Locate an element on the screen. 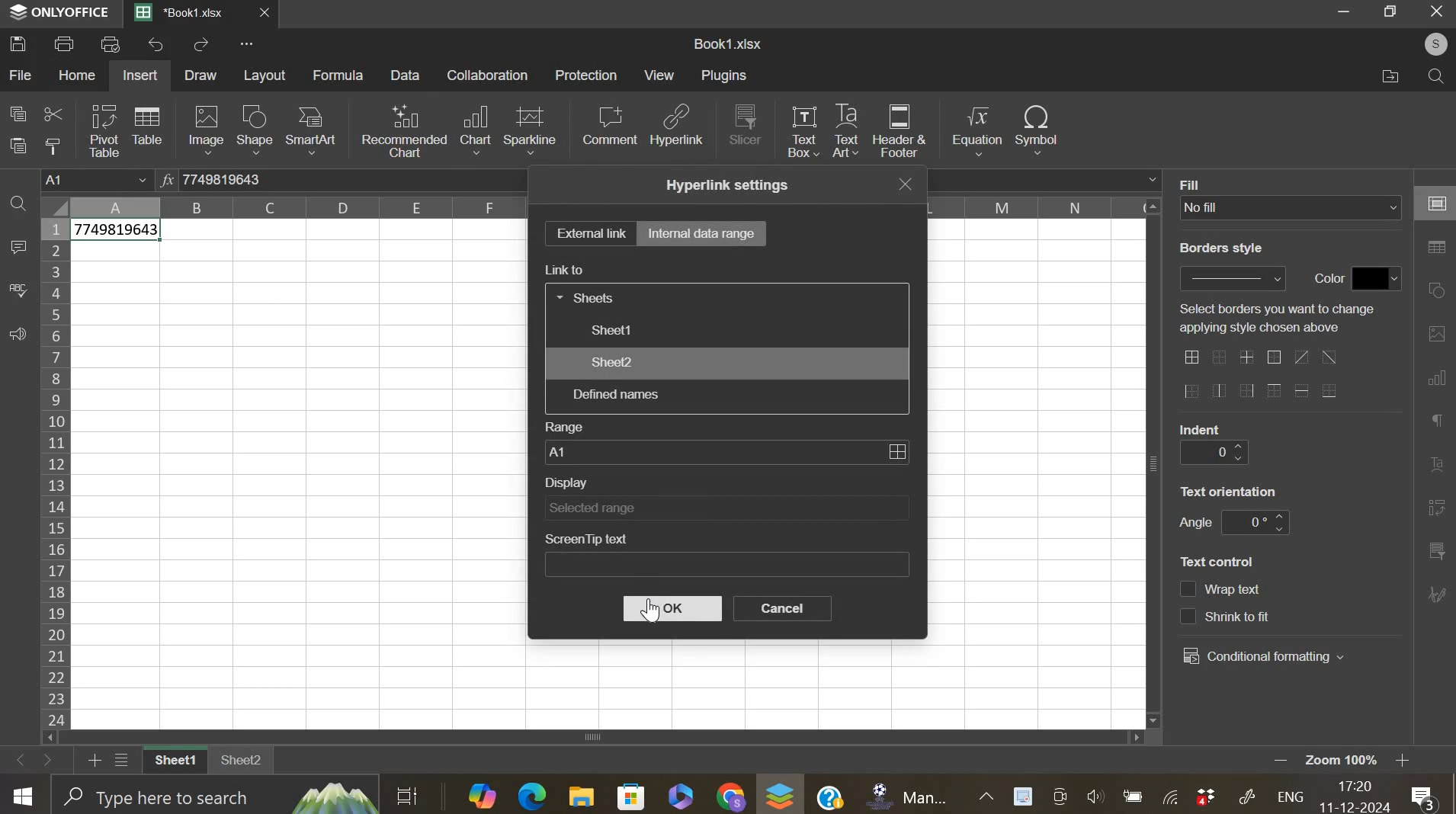 Image resolution: width=1456 pixels, height=814 pixels. data is located at coordinates (118, 232).